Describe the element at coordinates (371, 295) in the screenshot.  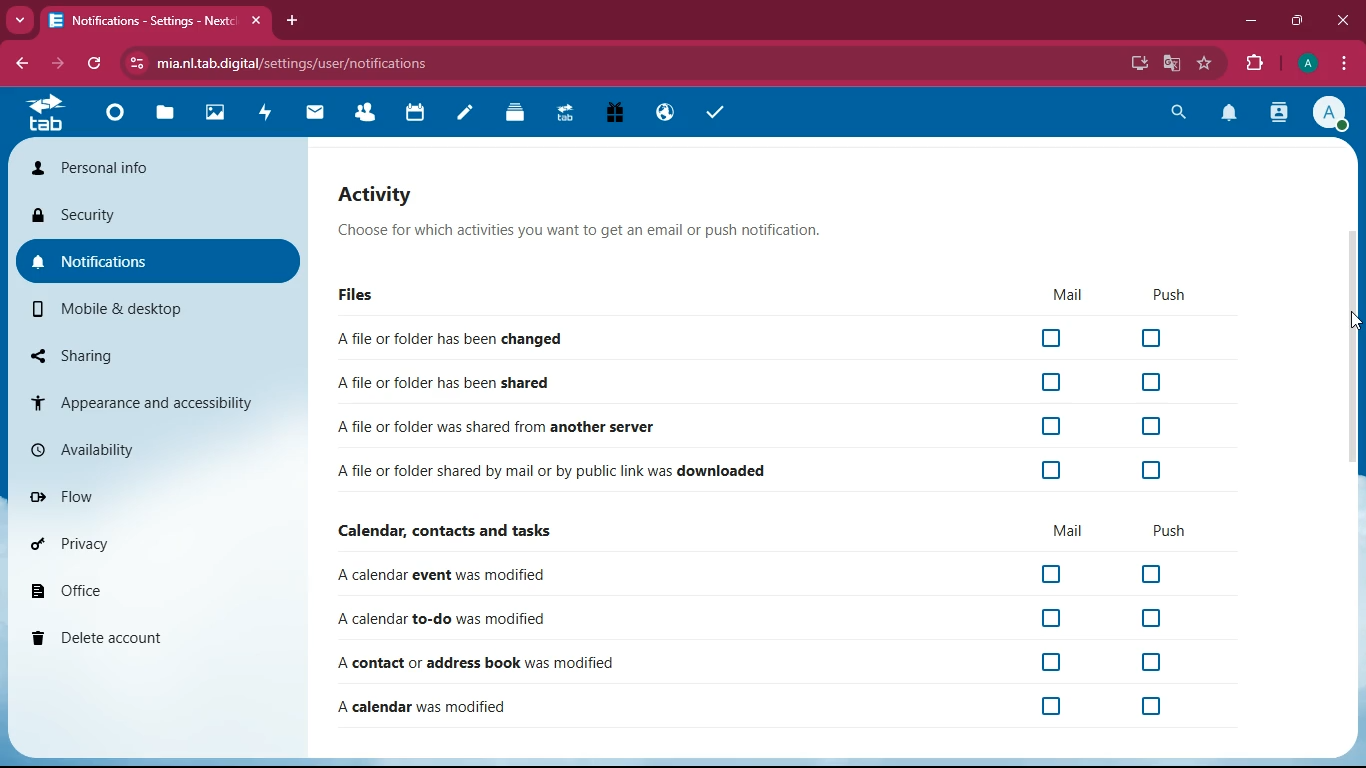
I see `files` at that location.